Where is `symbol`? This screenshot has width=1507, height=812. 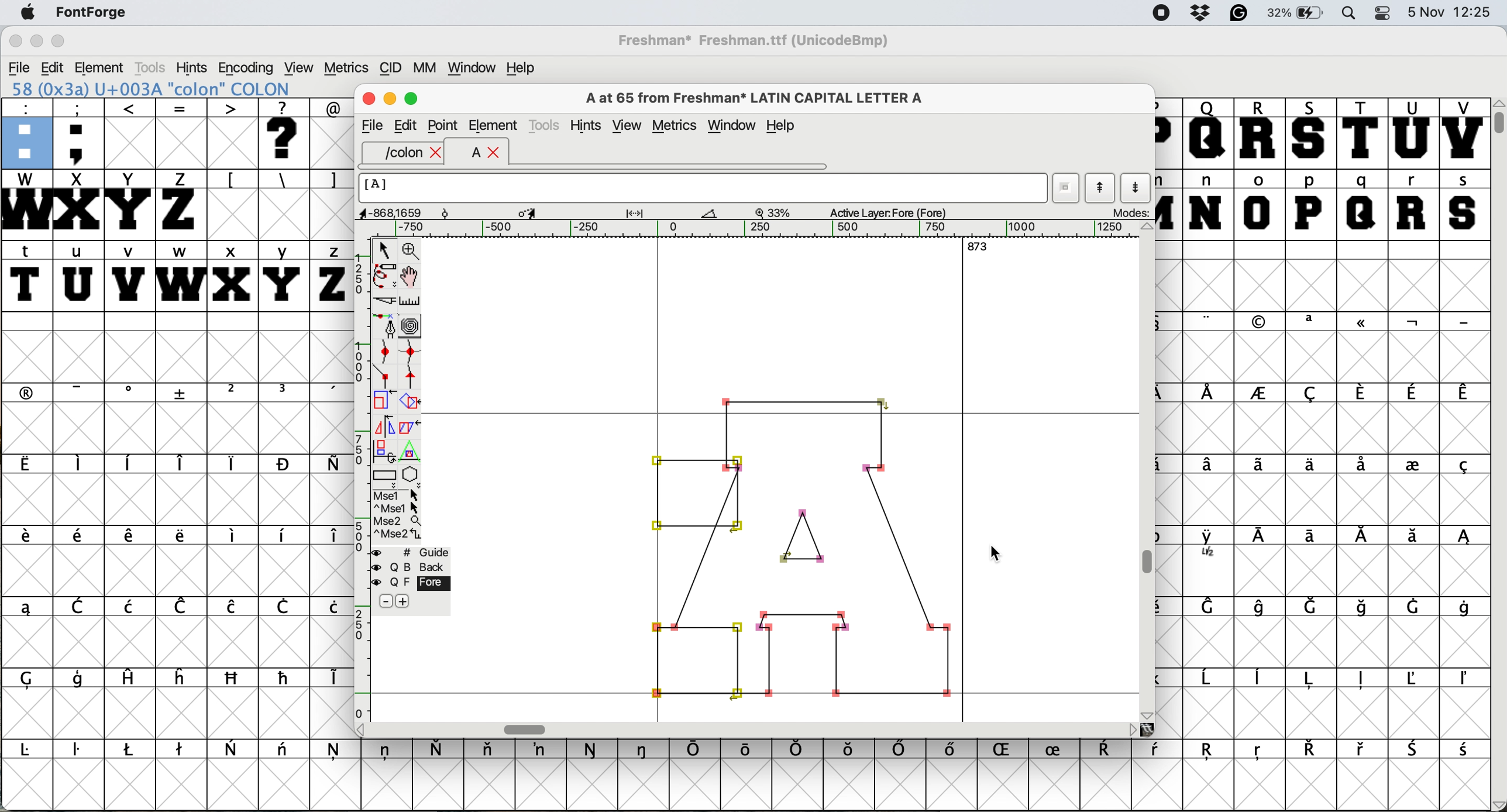 symbol is located at coordinates (131, 605).